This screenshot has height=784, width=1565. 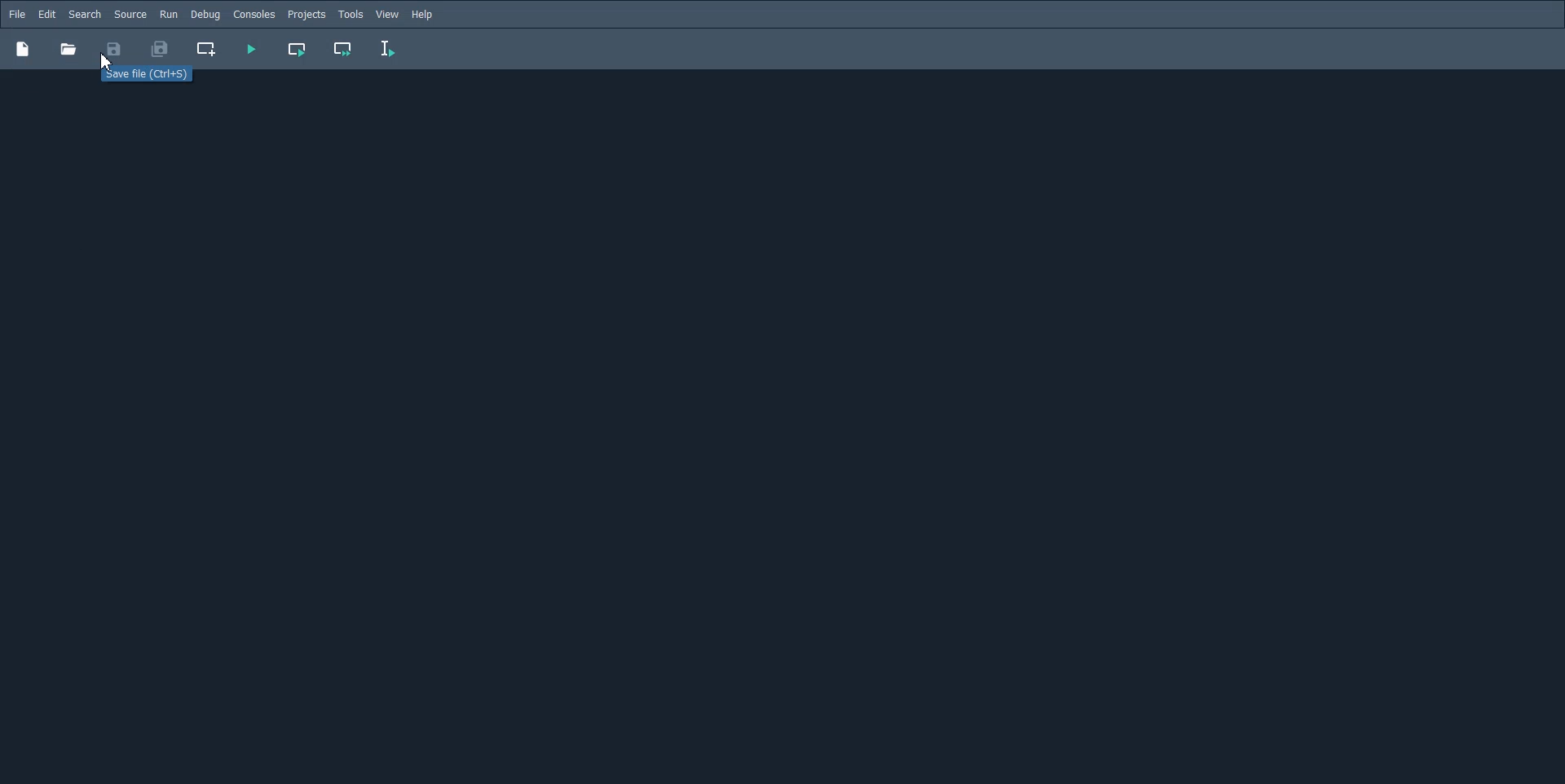 What do you see at coordinates (424, 15) in the screenshot?
I see `Help` at bounding box center [424, 15].